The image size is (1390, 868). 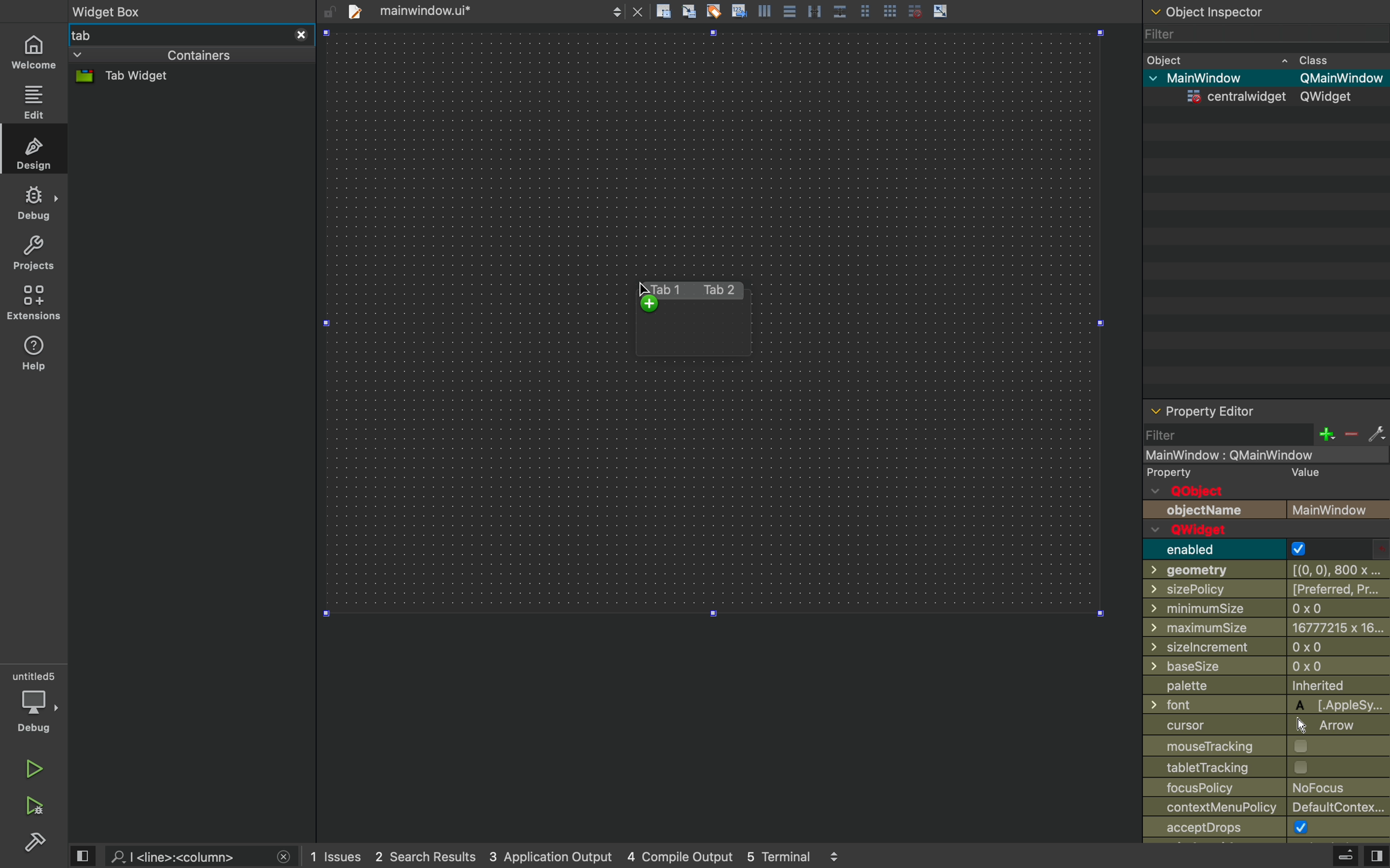 I want to click on extrude, so click(x=1346, y=858).